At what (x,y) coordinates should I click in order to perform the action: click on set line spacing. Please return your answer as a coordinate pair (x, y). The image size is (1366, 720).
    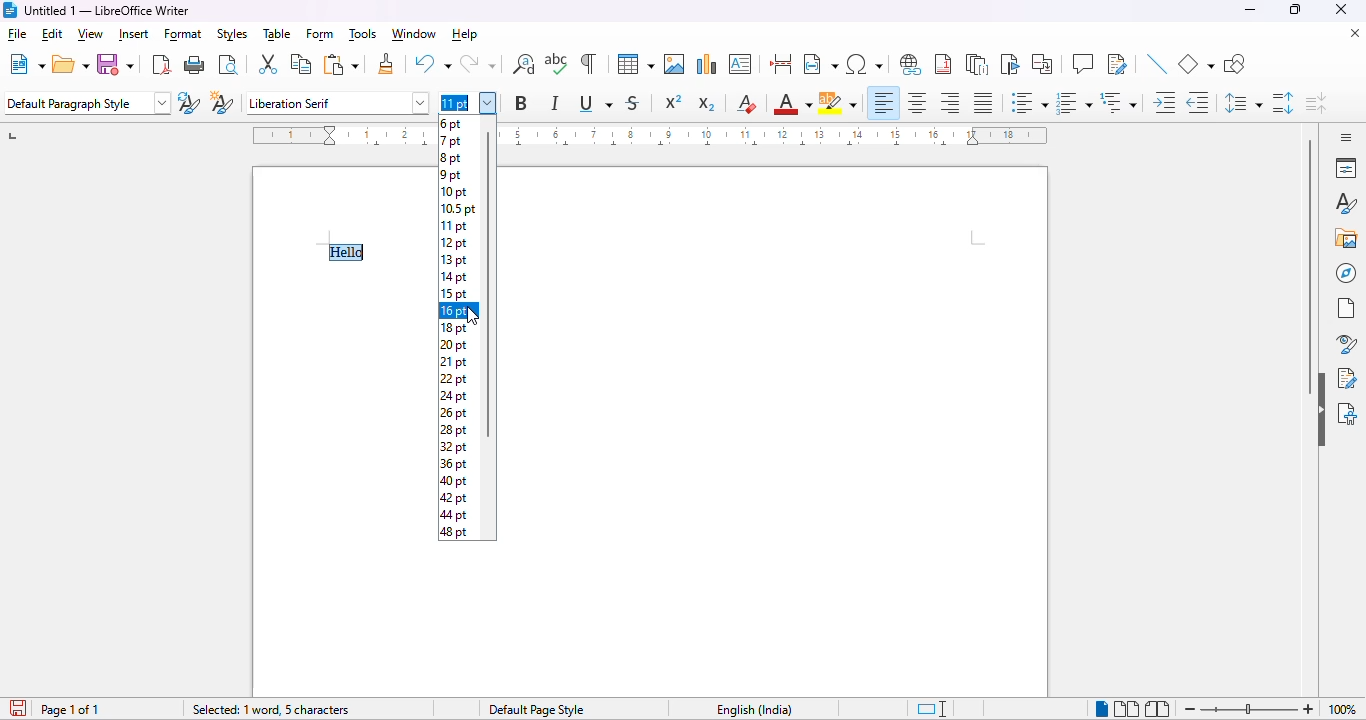
    Looking at the image, I should click on (1243, 104).